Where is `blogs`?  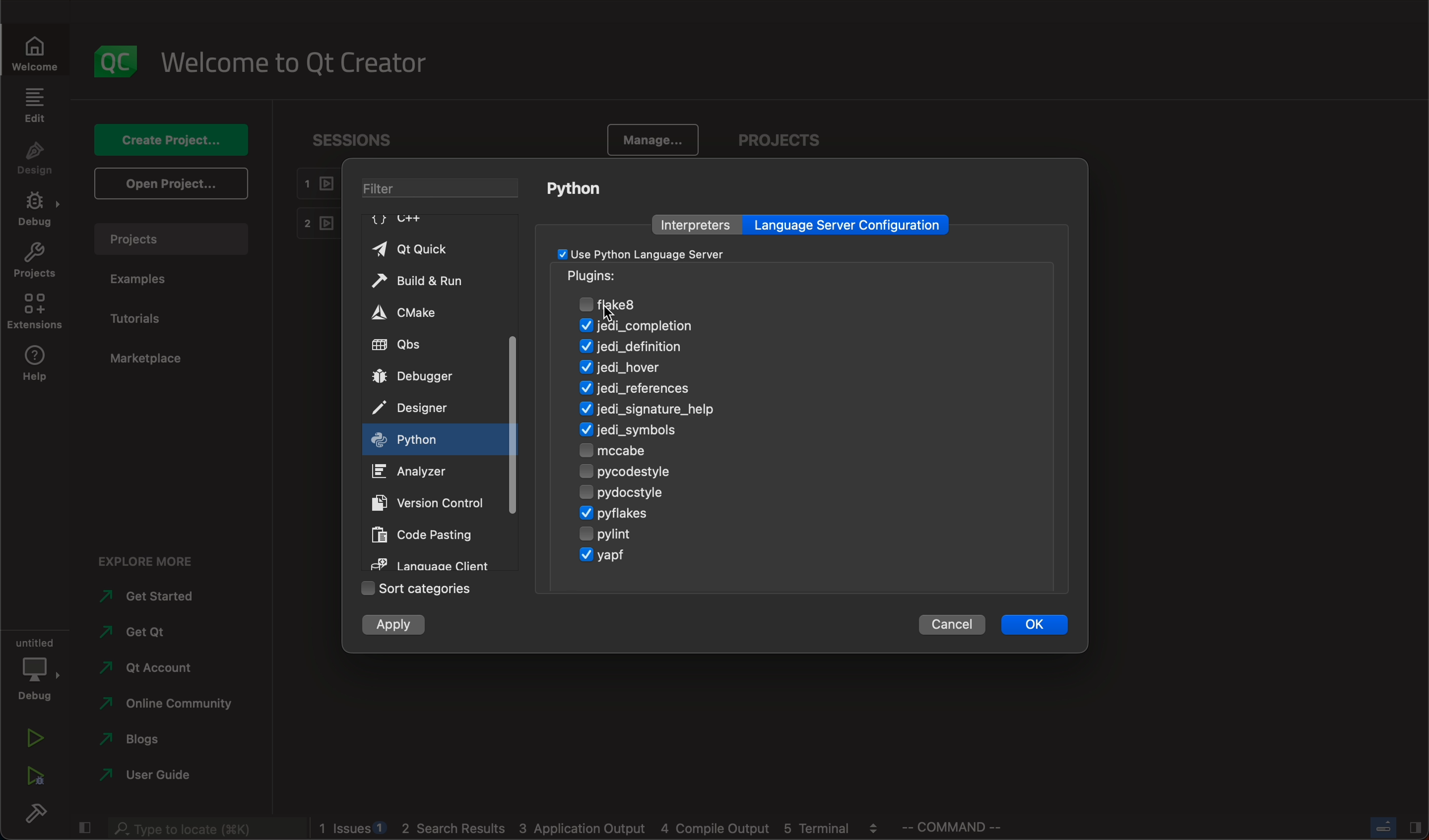
blogs is located at coordinates (141, 738).